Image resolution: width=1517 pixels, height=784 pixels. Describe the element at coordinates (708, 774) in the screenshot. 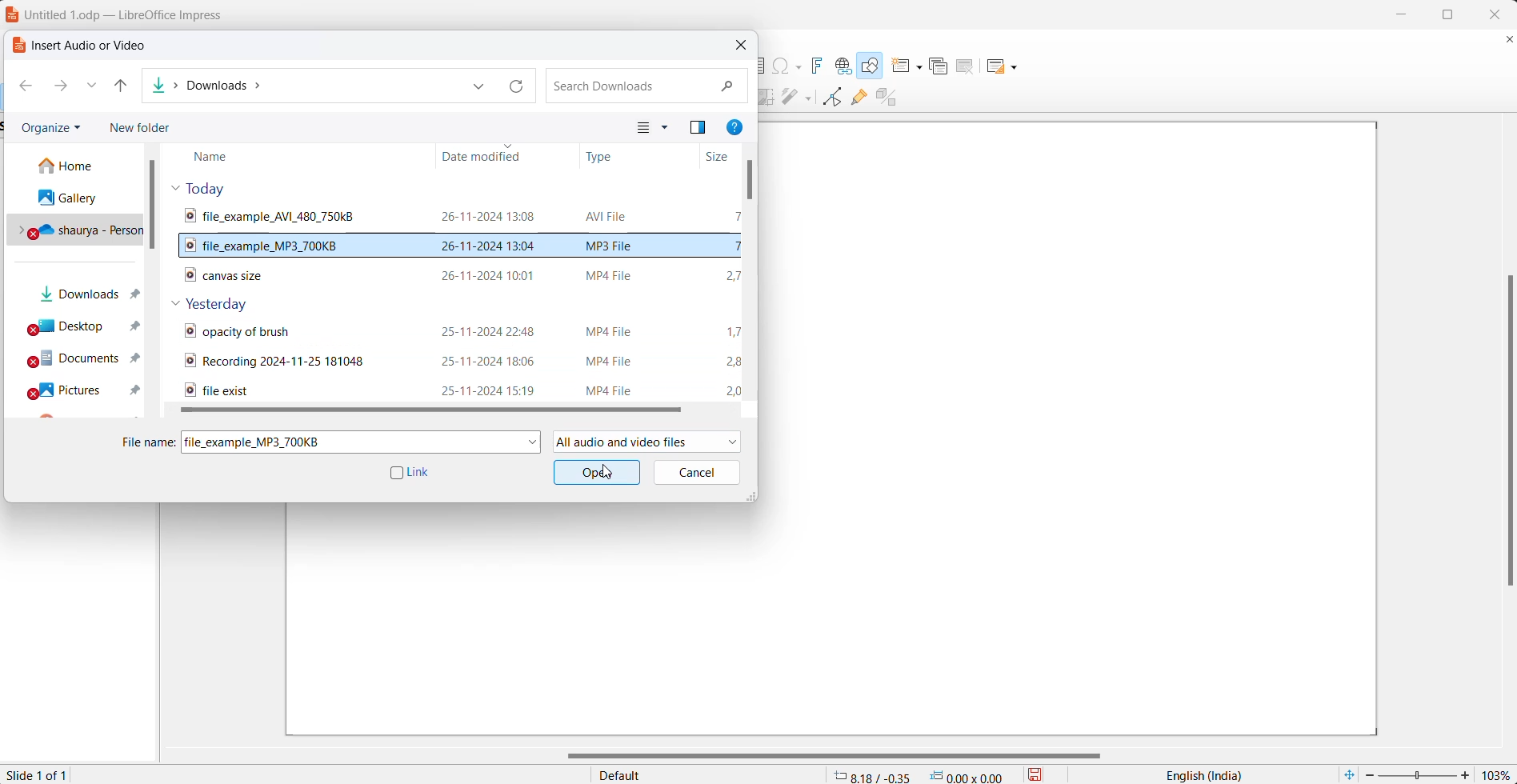

I see `slide master name` at that location.